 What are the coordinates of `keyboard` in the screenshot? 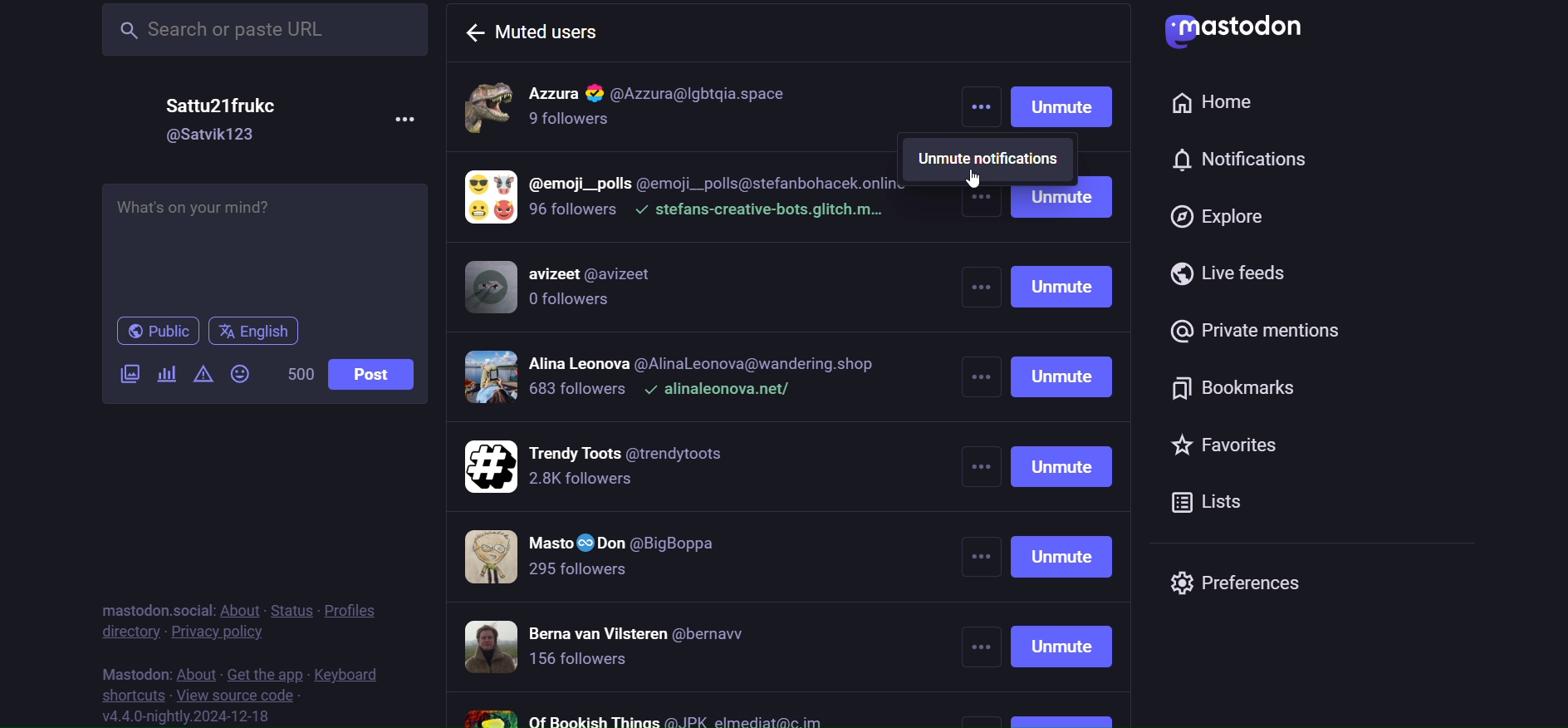 It's located at (349, 673).